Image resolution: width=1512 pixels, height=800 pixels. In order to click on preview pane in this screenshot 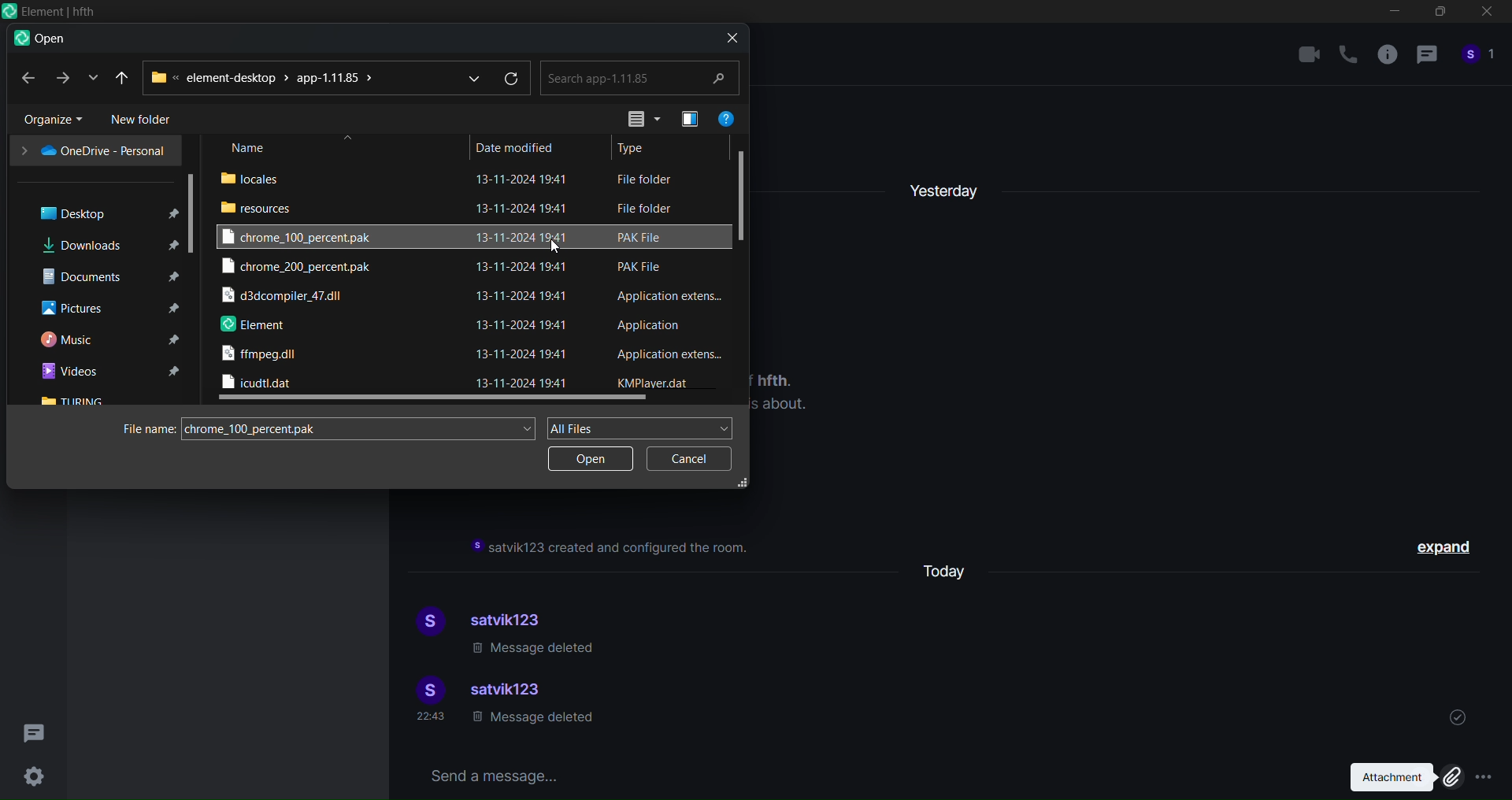, I will do `click(686, 118)`.